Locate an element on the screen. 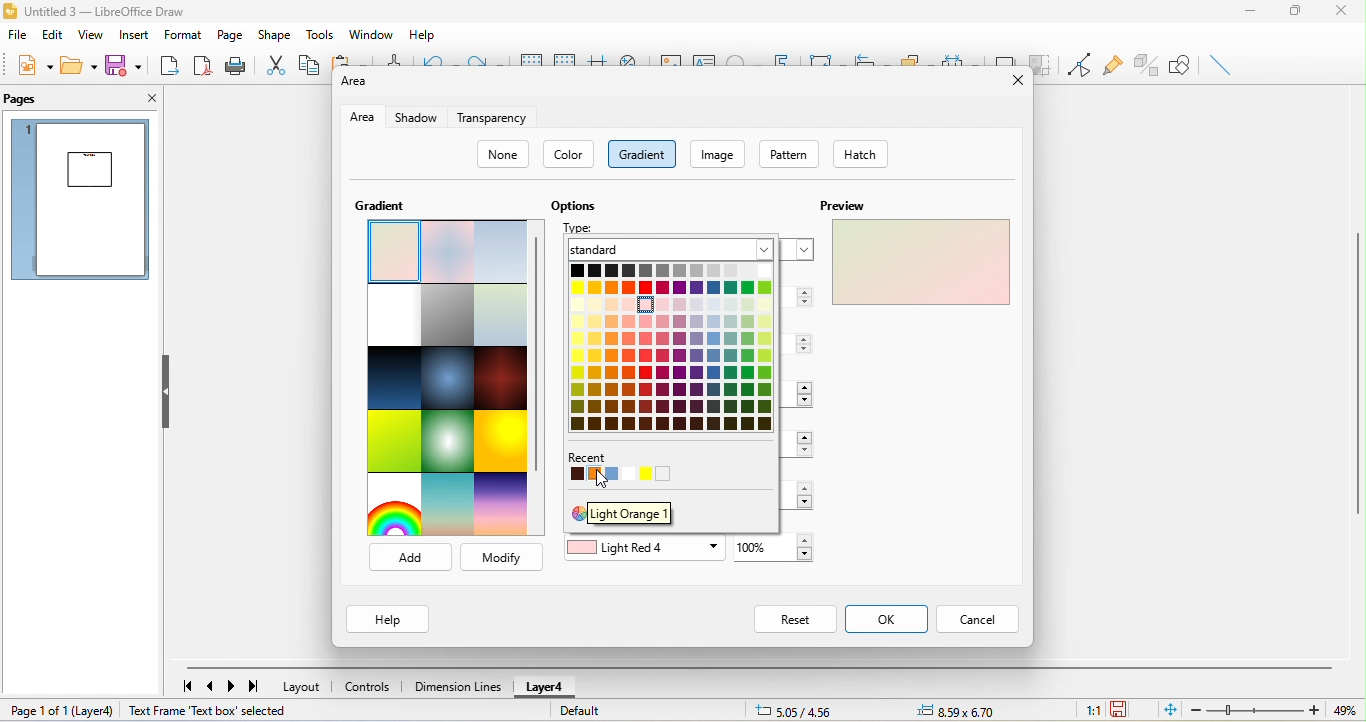 The height and width of the screenshot is (722, 1366). angle 30 degree  is located at coordinates (806, 395).